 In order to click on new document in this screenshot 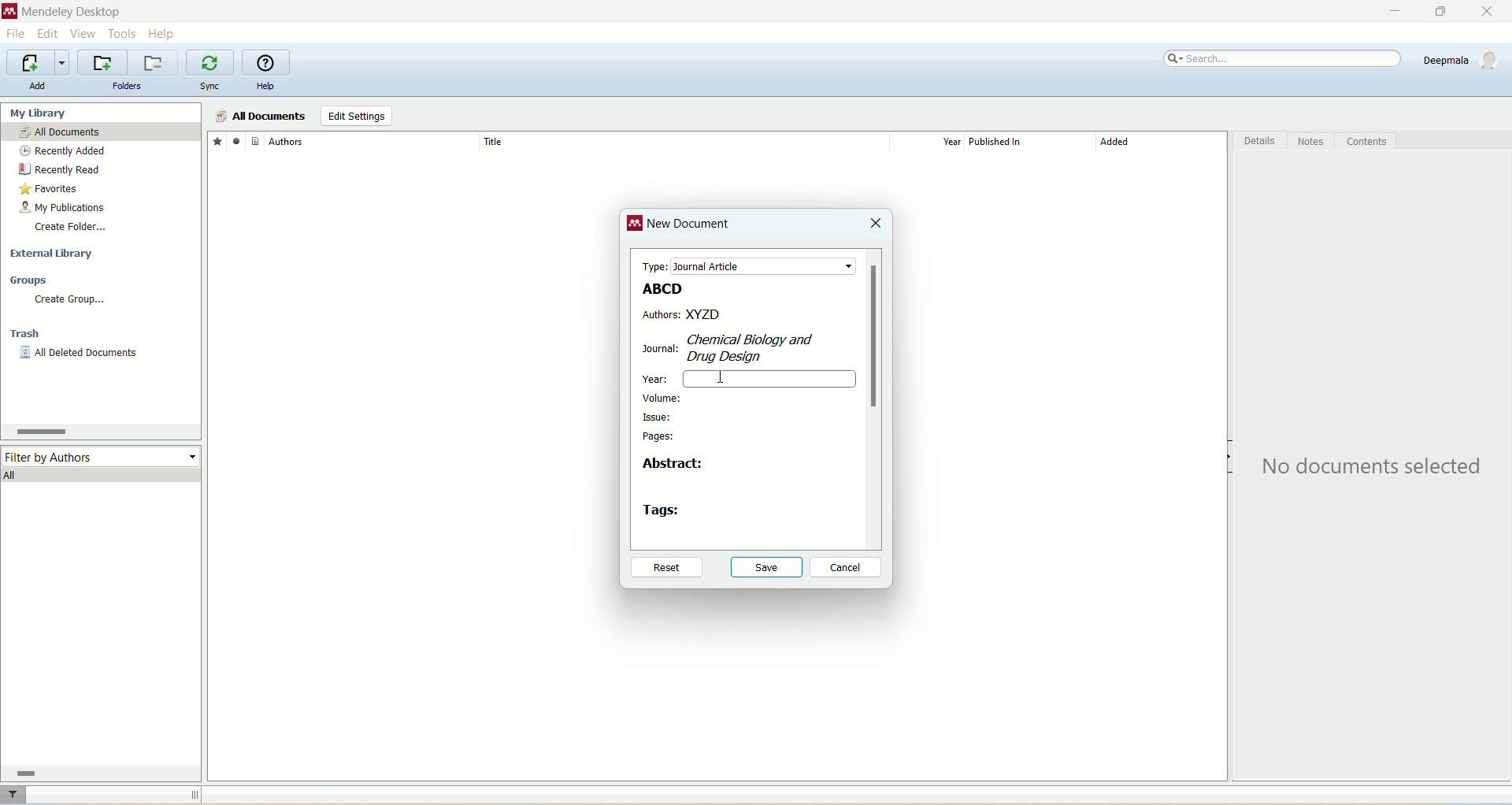, I will do `click(691, 227)`.